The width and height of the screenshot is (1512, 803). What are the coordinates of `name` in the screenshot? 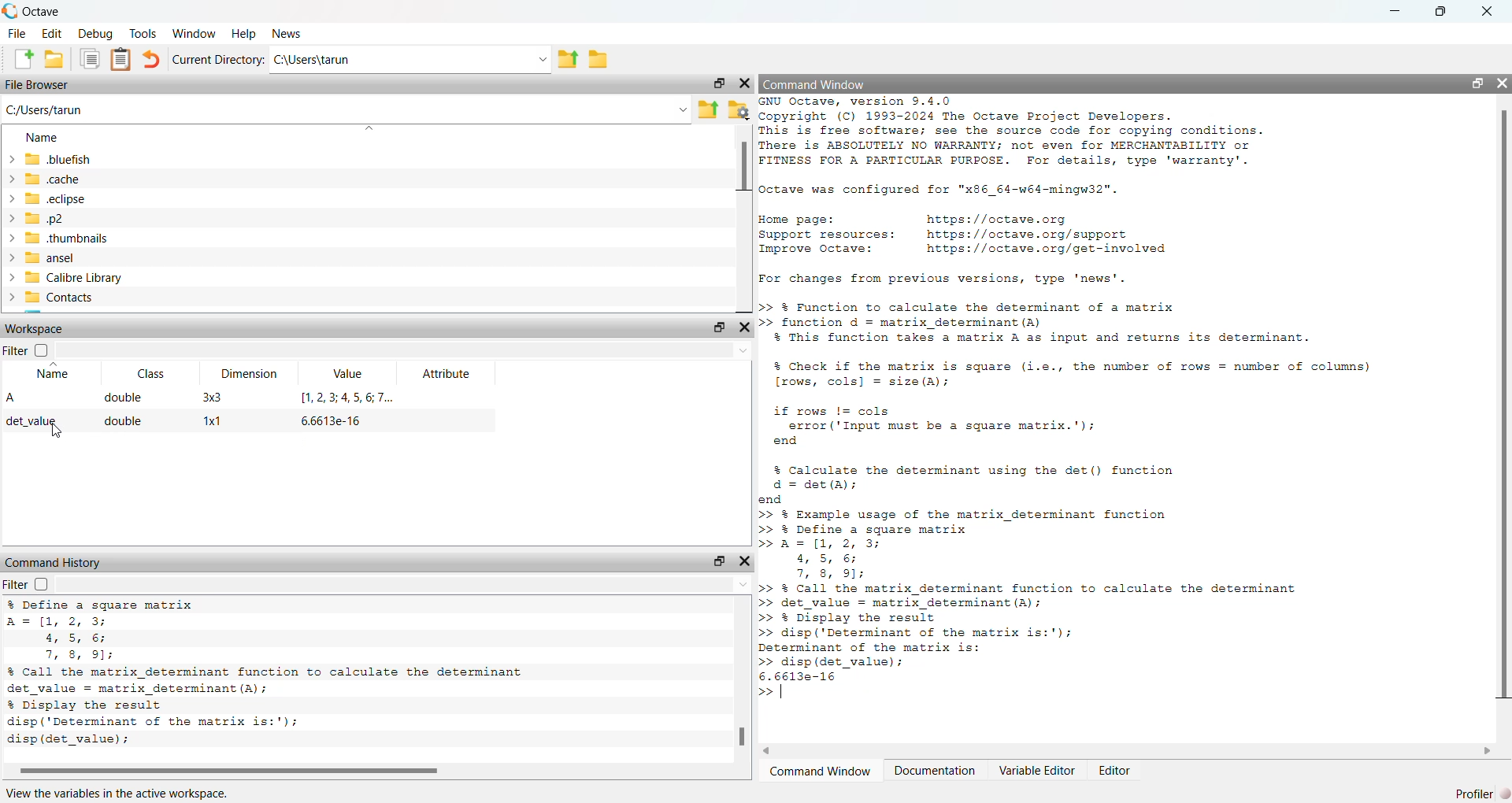 It's located at (48, 139).